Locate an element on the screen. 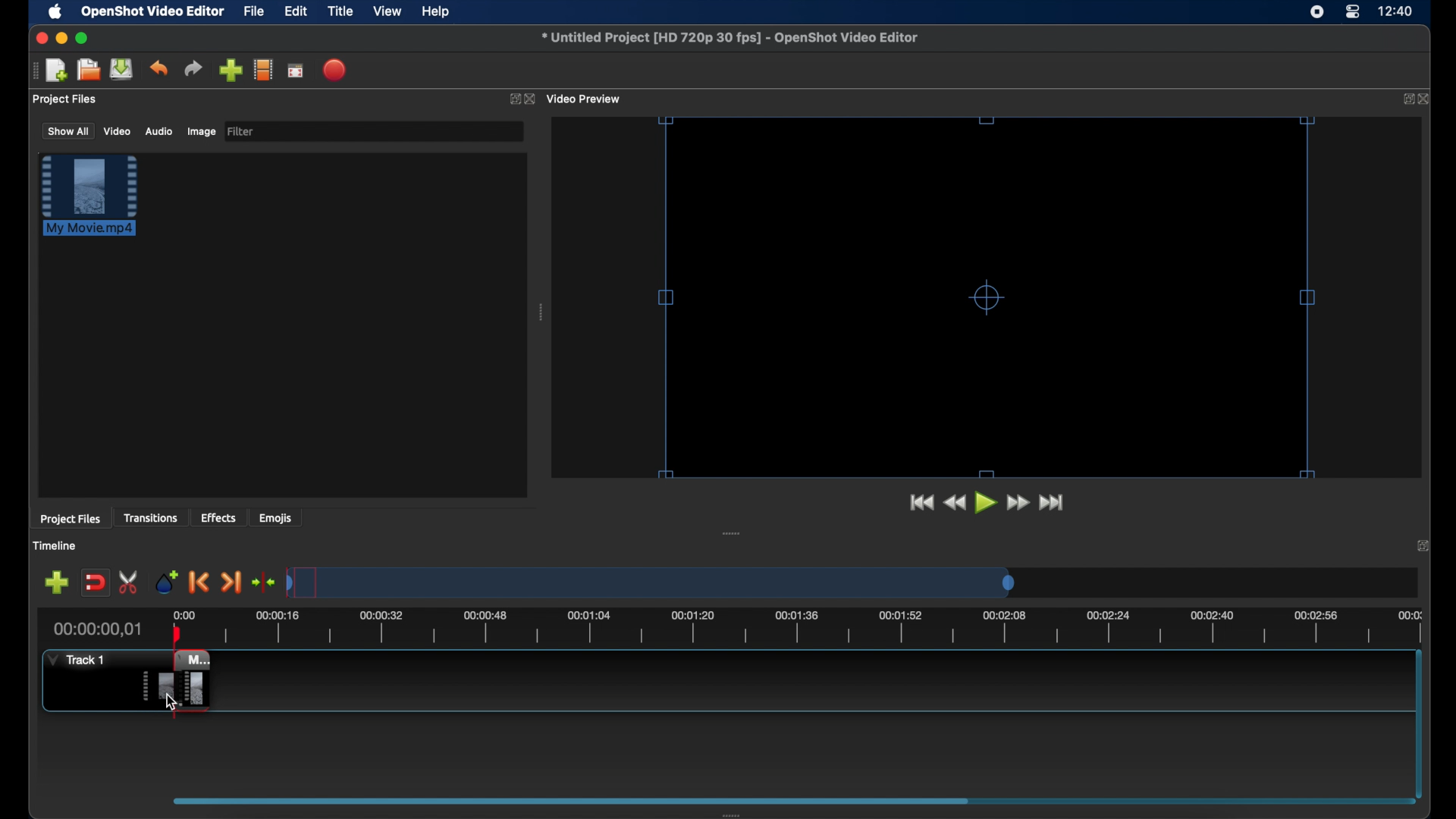 Image resolution: width=1456 pixels, height=819 pixels. timeline scale is located at coordinates (816, 629).